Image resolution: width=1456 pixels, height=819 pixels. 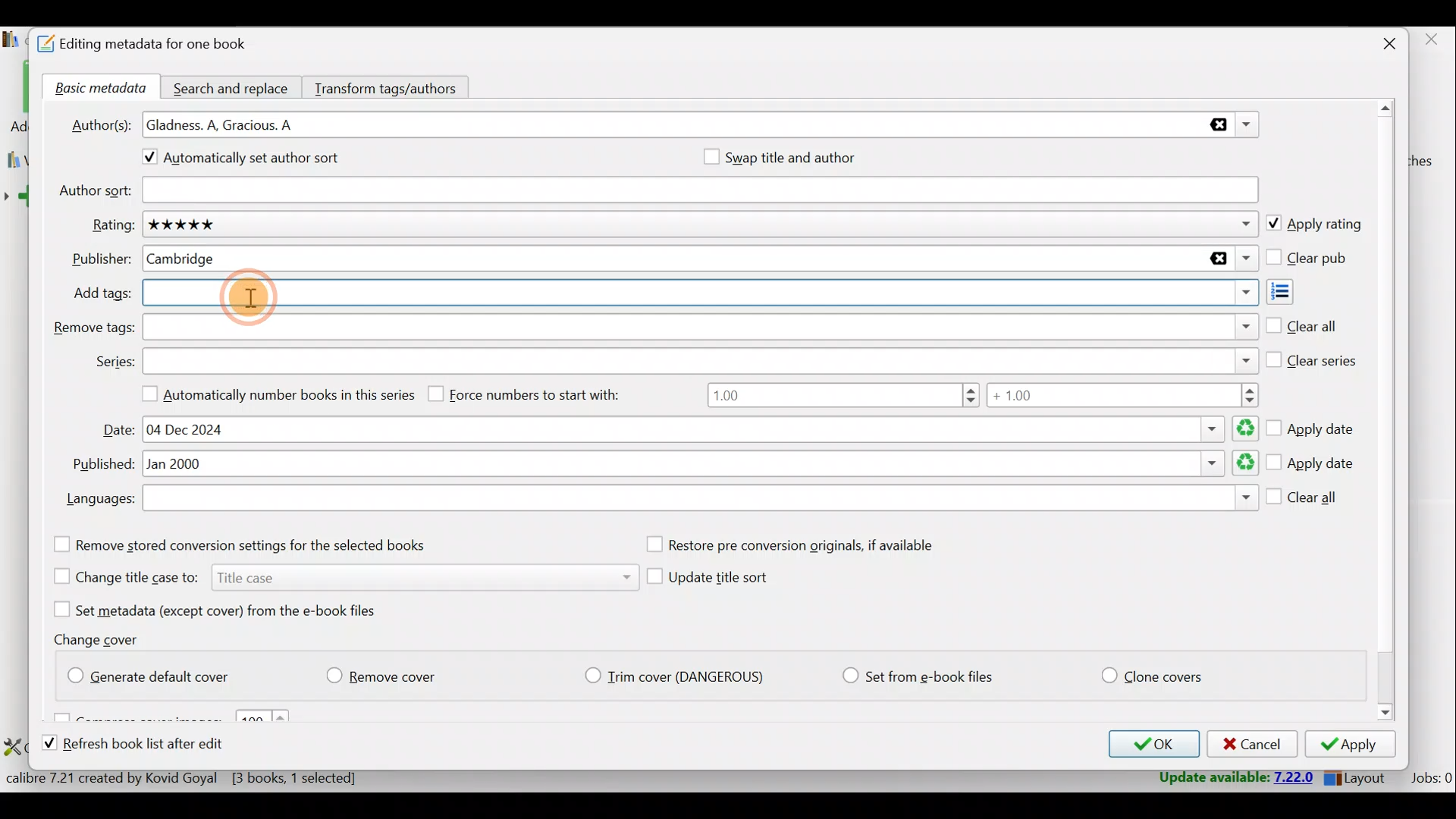 What do you see at coordinates (699, 260) in the screenshot?
I see `Publisher` at bounding box center [699, 260].